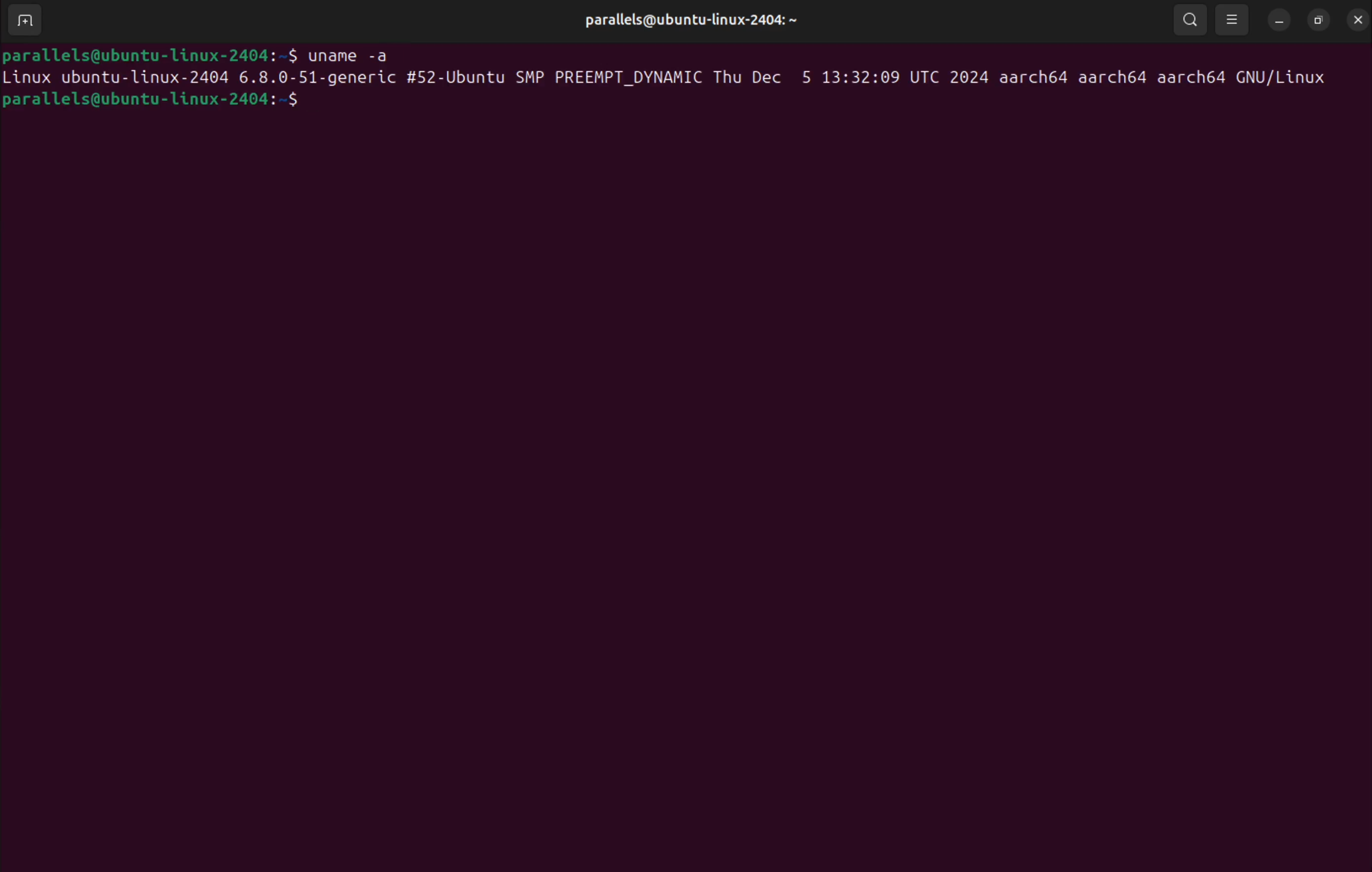 This screenshot has width=1372, height=872. Describe the element at coordinates (1190, 21) in the screenshot. I see `search` at that location.